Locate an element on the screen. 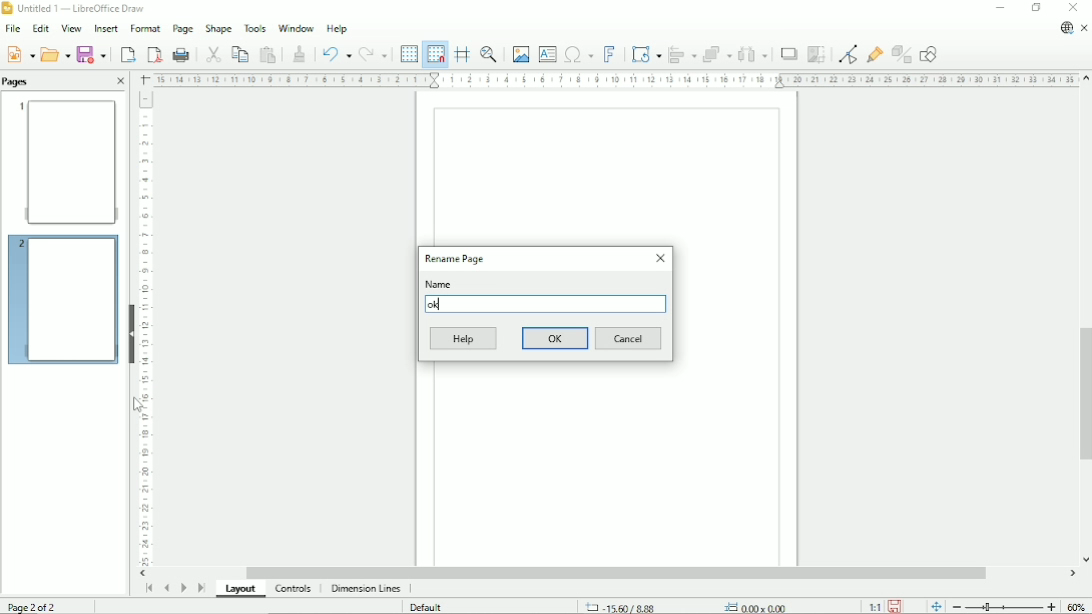  Snap to grid is located at coordinates (434, 54).